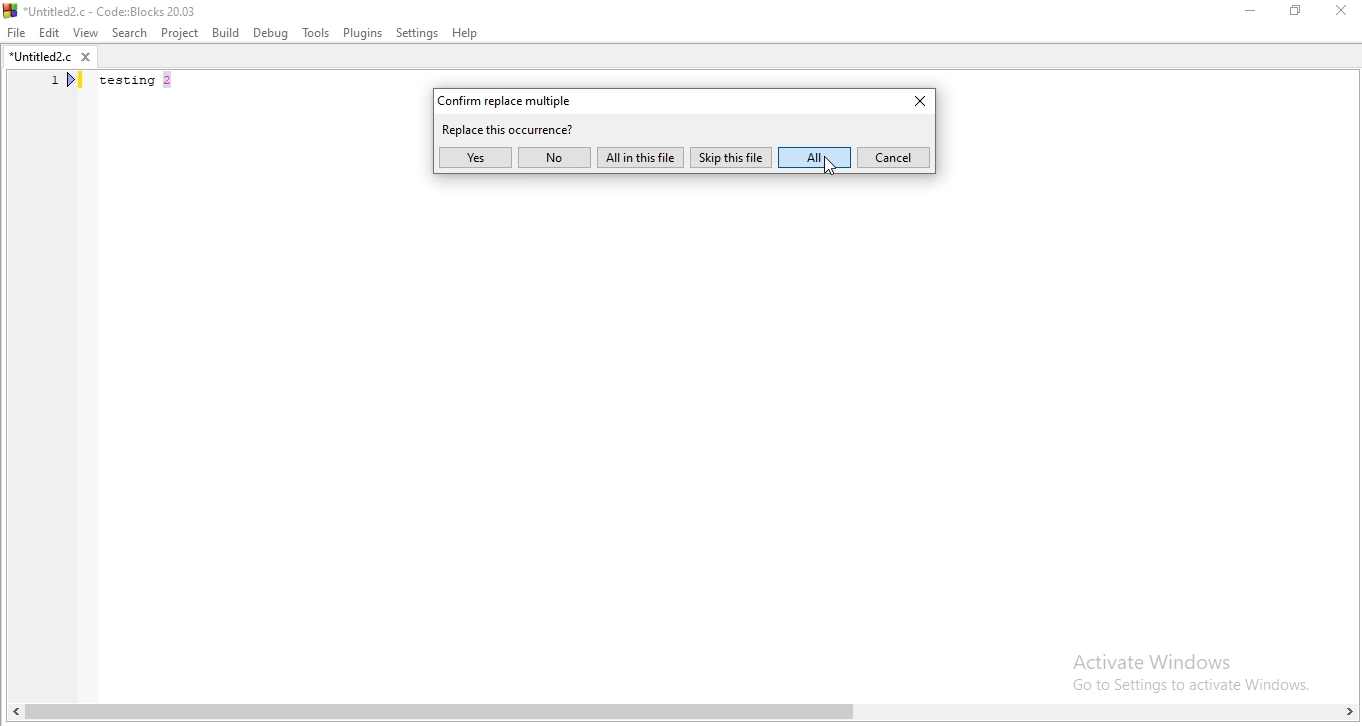 The height and width of the screenshot is (726, 1362). What do you see at coordinates (640, 157) in the screenshot?
I see `all in this file` at bounding box center [640, 157].